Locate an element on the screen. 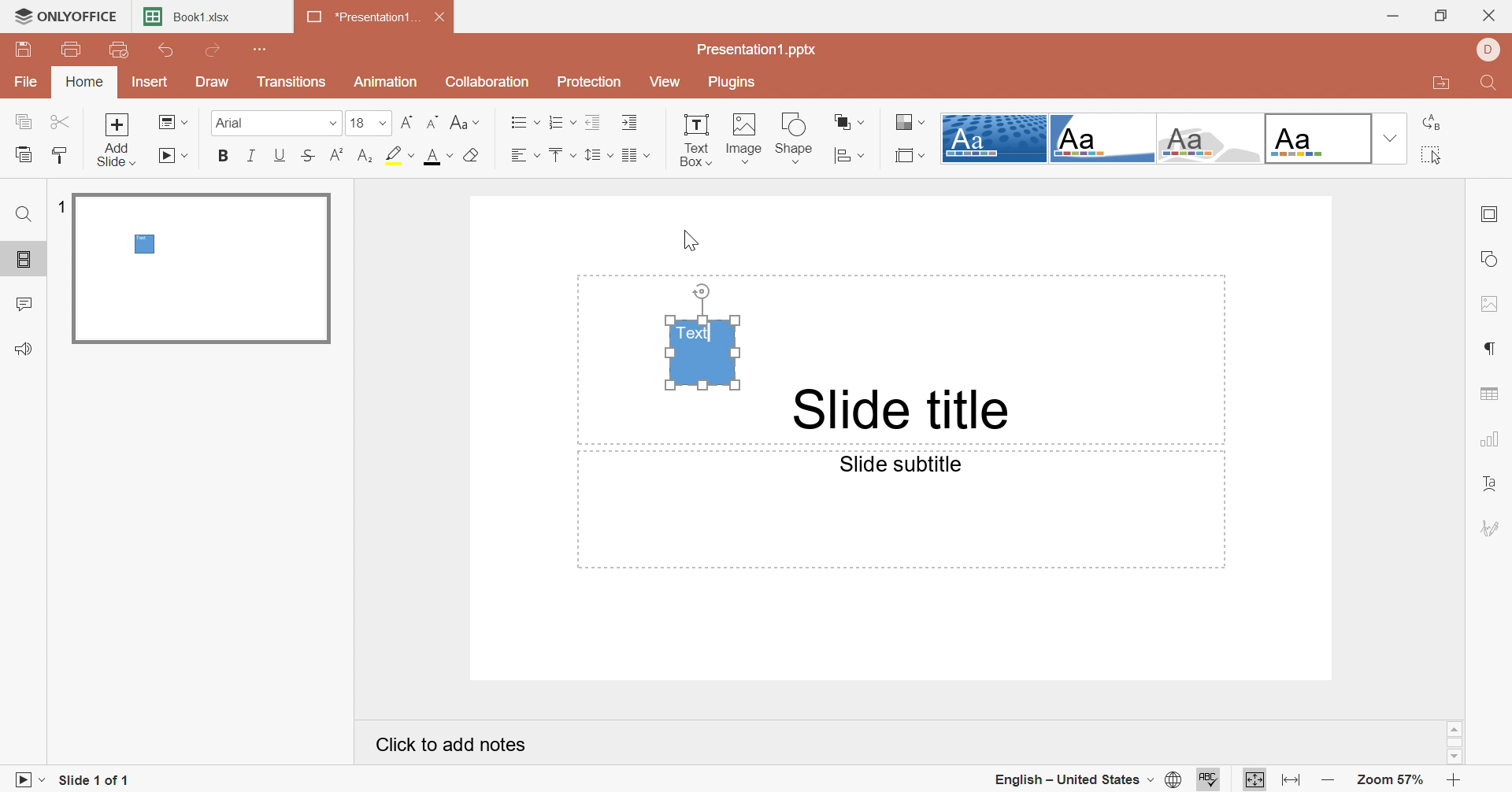  Increase Indent is located at coordinates (631, 122).